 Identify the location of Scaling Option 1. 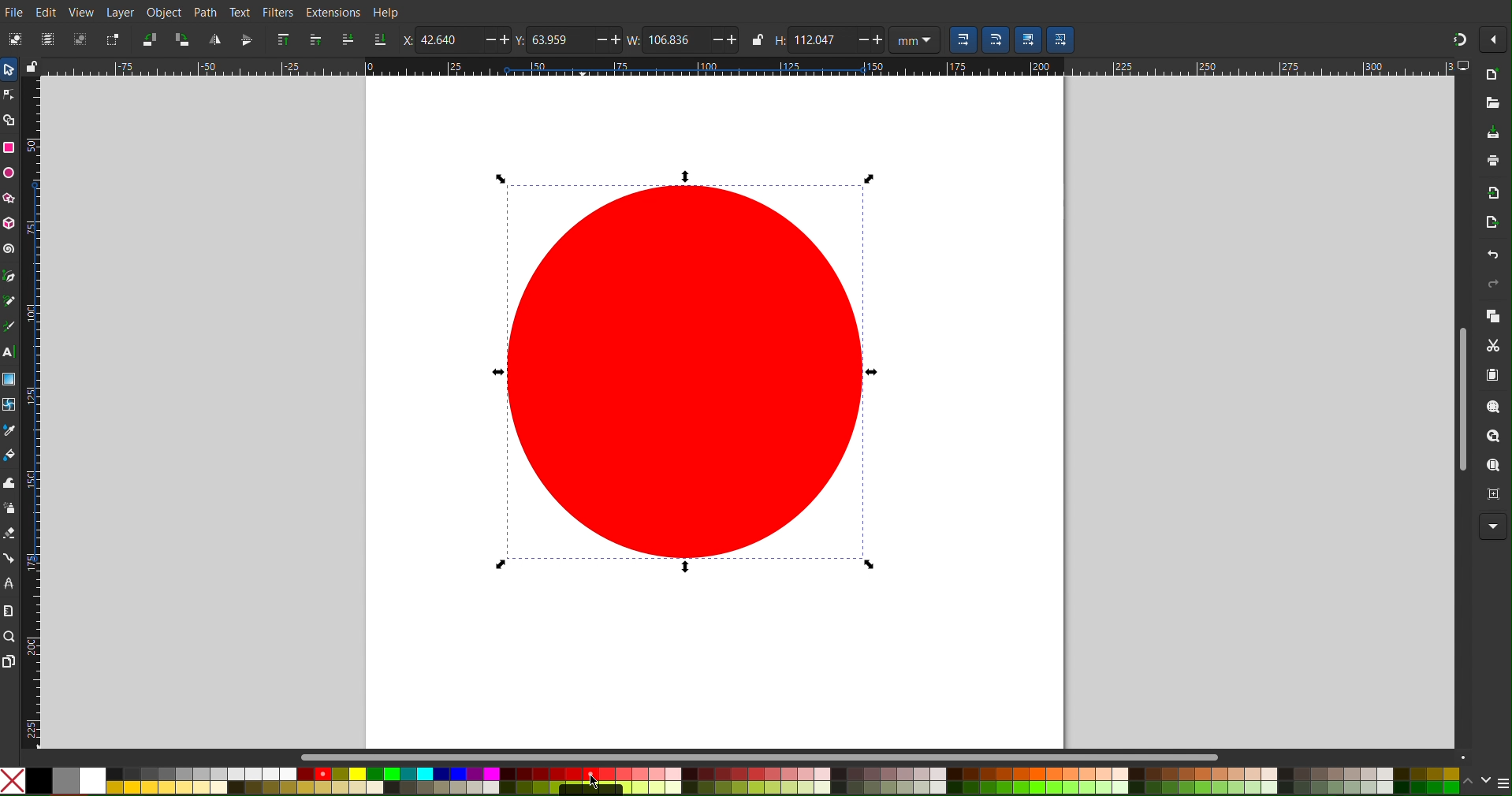
(963, 39).